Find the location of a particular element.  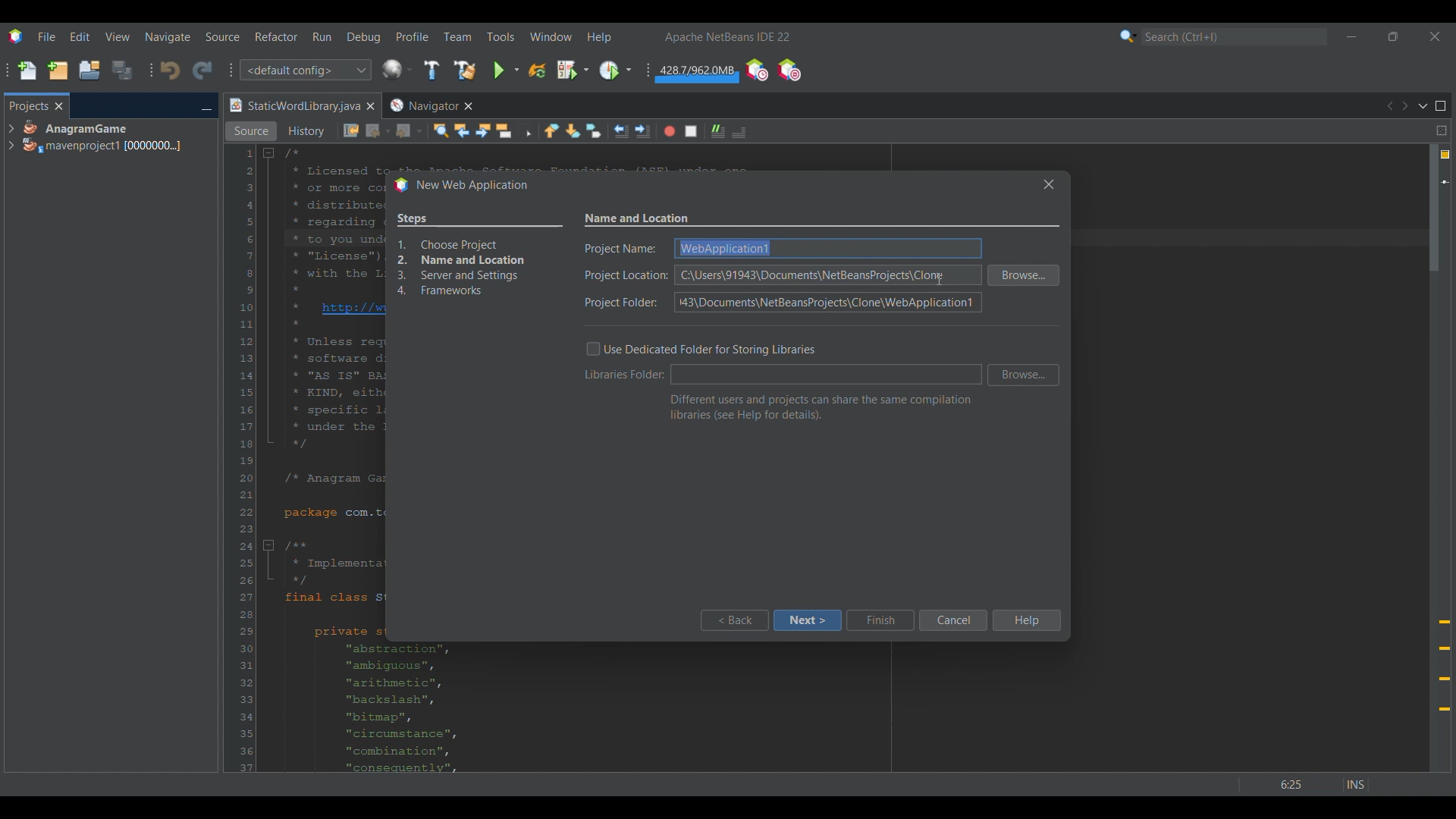

Back is located at coordinates (733, 620).